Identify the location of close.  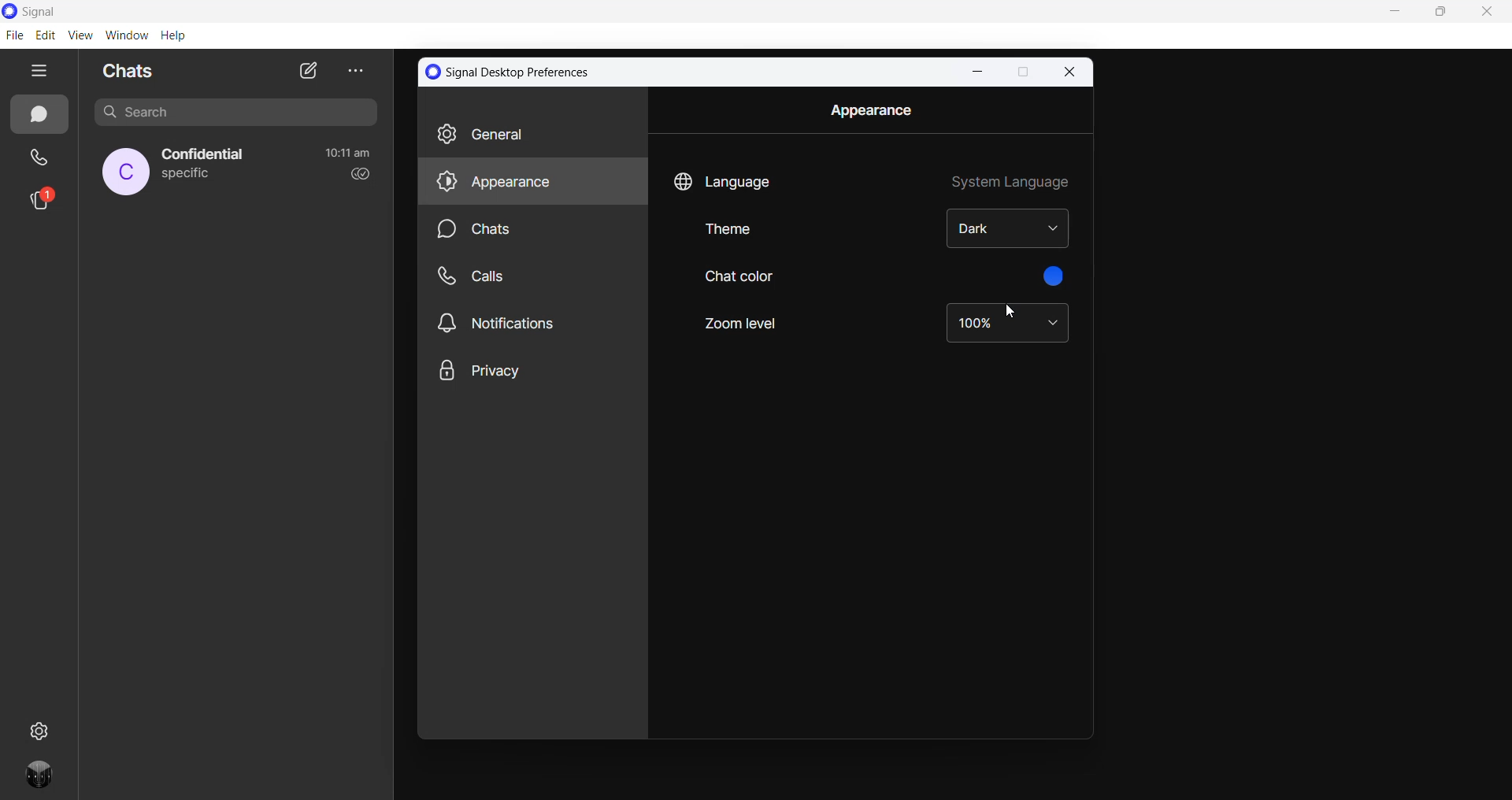
(1486, 14).